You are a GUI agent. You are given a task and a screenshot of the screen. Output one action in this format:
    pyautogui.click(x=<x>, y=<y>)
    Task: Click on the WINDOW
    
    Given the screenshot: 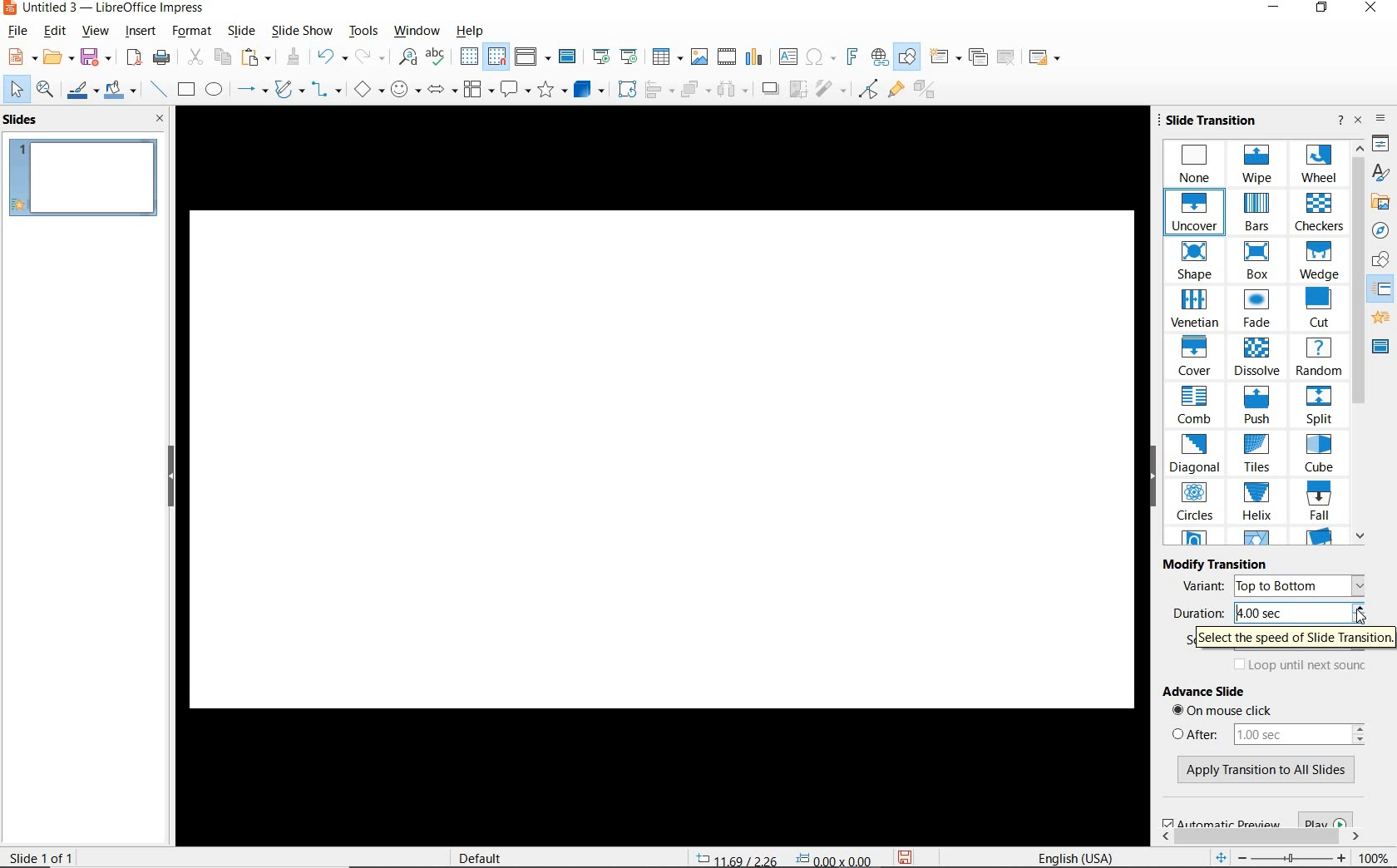 What is the action you would take?
    pyautogui.click(x=417, y=30)
    